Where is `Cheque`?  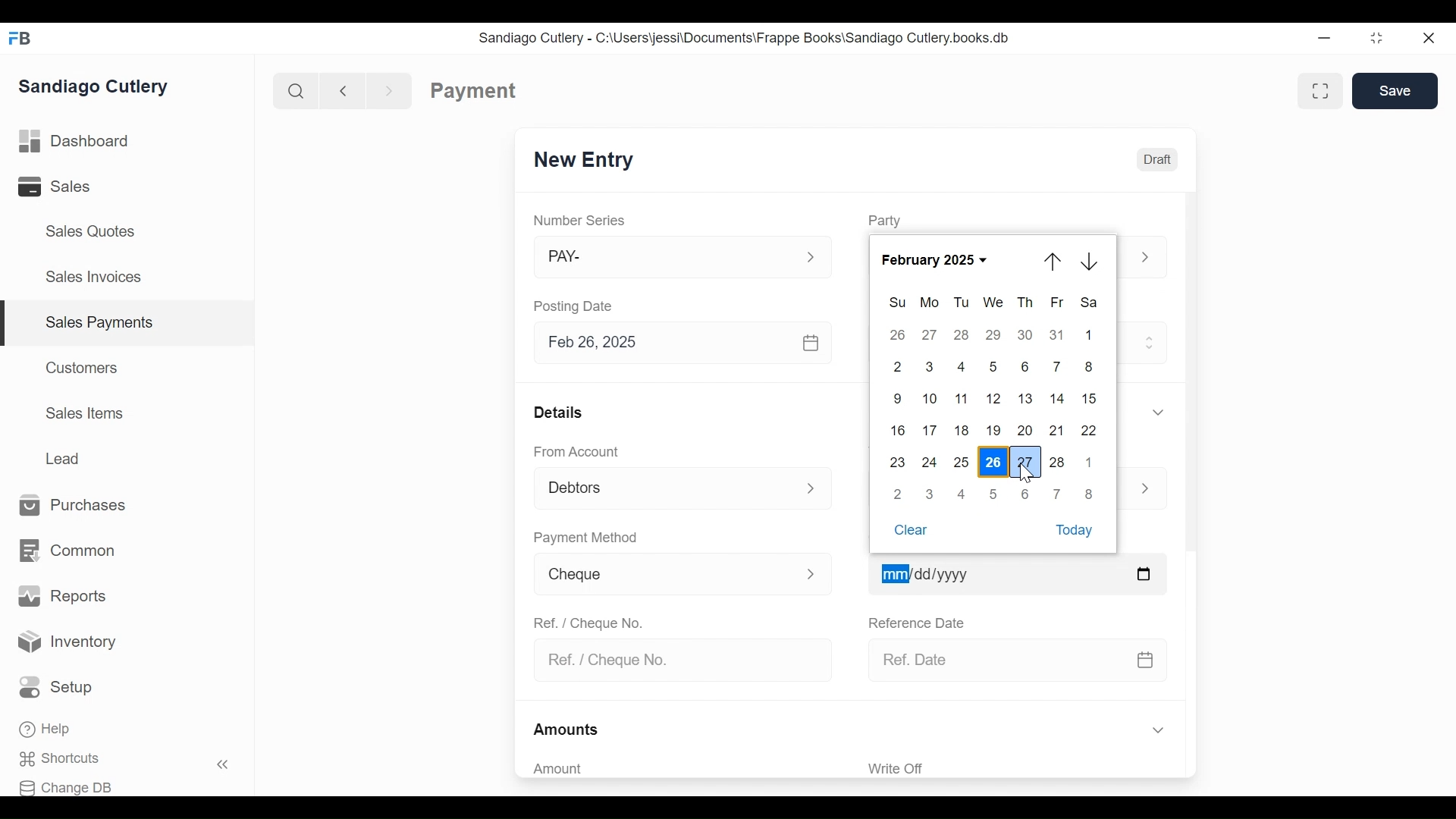 Cheque is located at coordinates (658, 575).